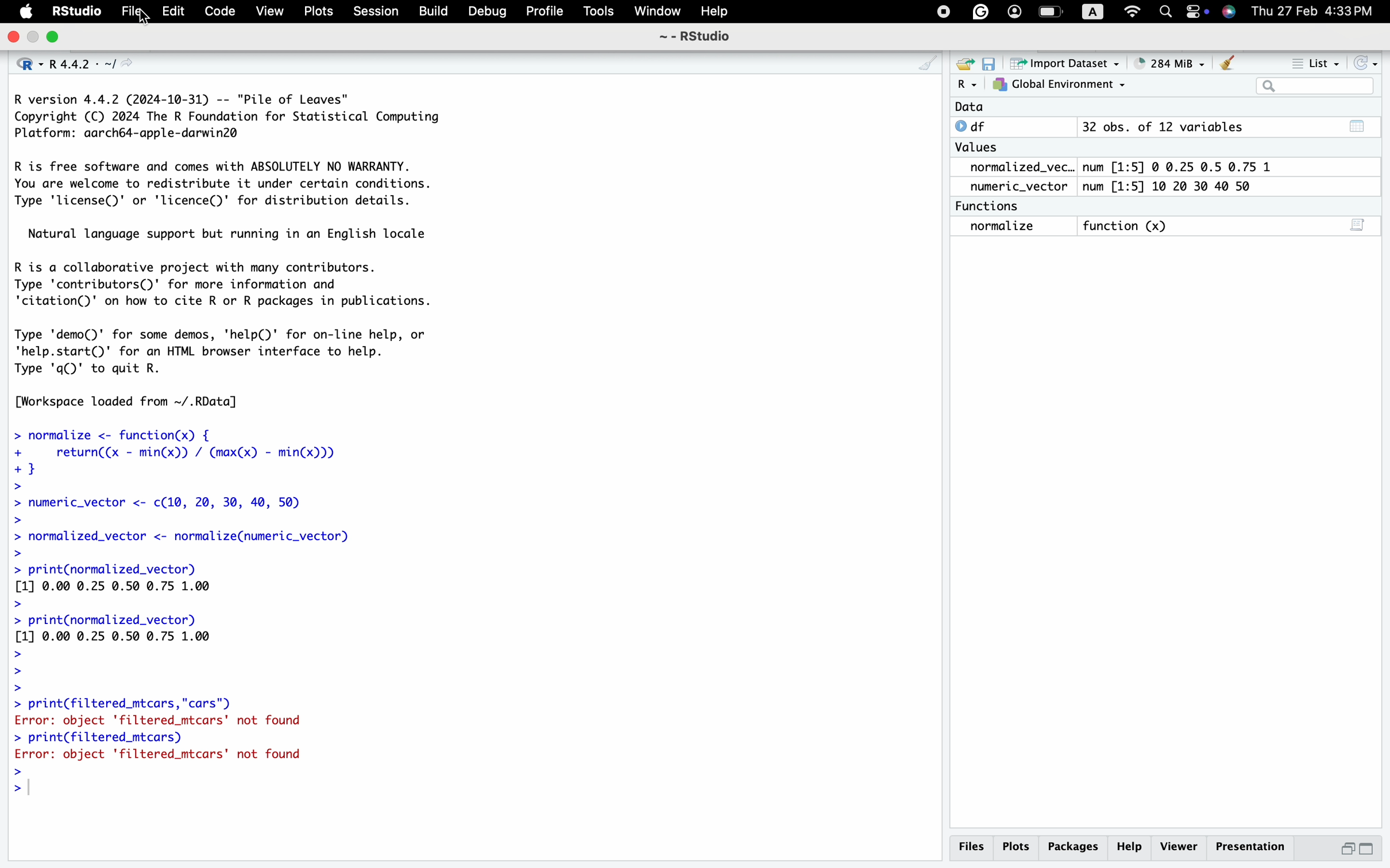 The width and height of the screenshot is (1390, 868). What do you see at coordinates (1166, 13) in the screenshot?
I see `search` at bounding box center [1166, 13].